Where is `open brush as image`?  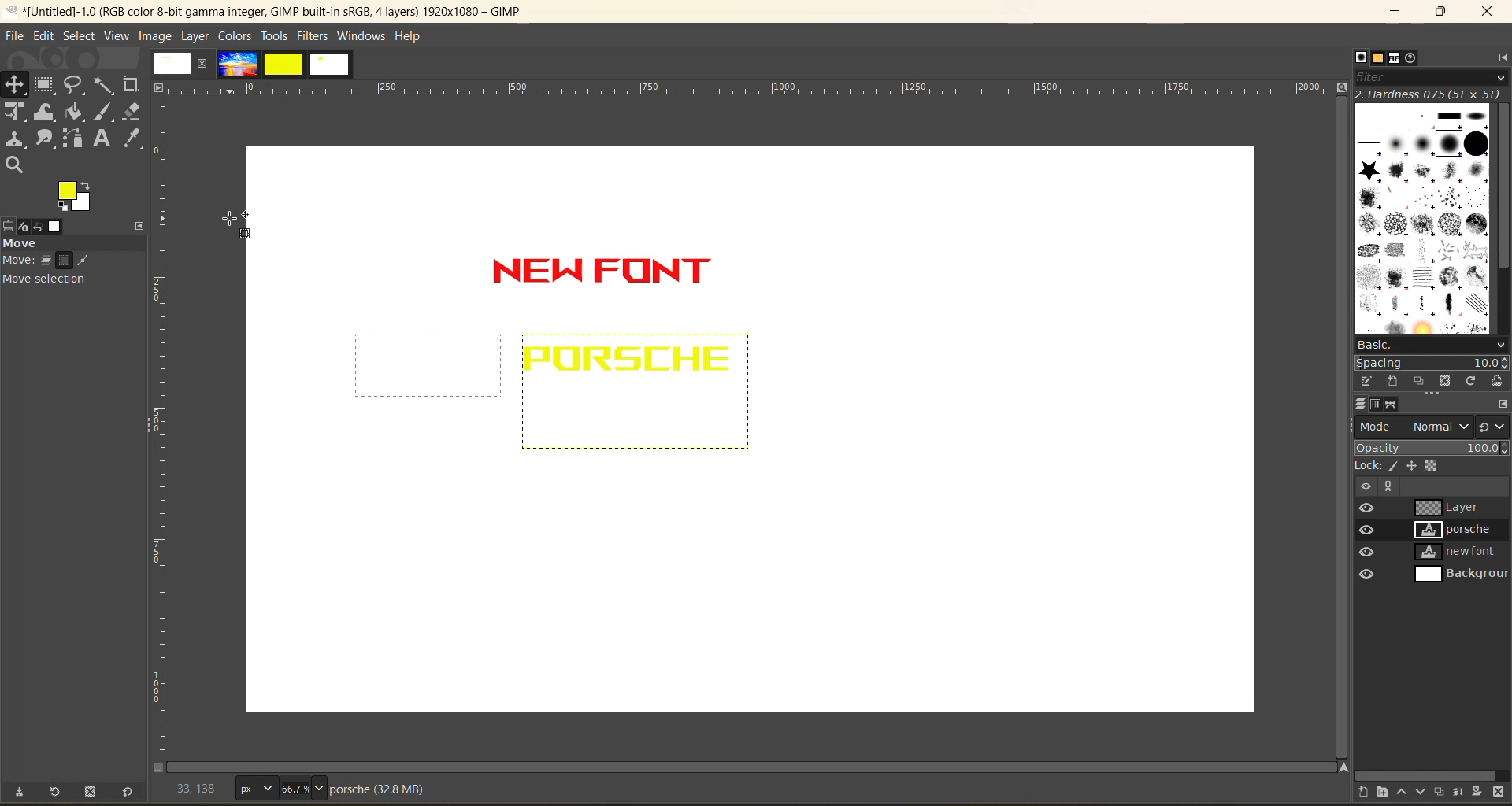
open brush as image is located at coordinates (1498, 383).